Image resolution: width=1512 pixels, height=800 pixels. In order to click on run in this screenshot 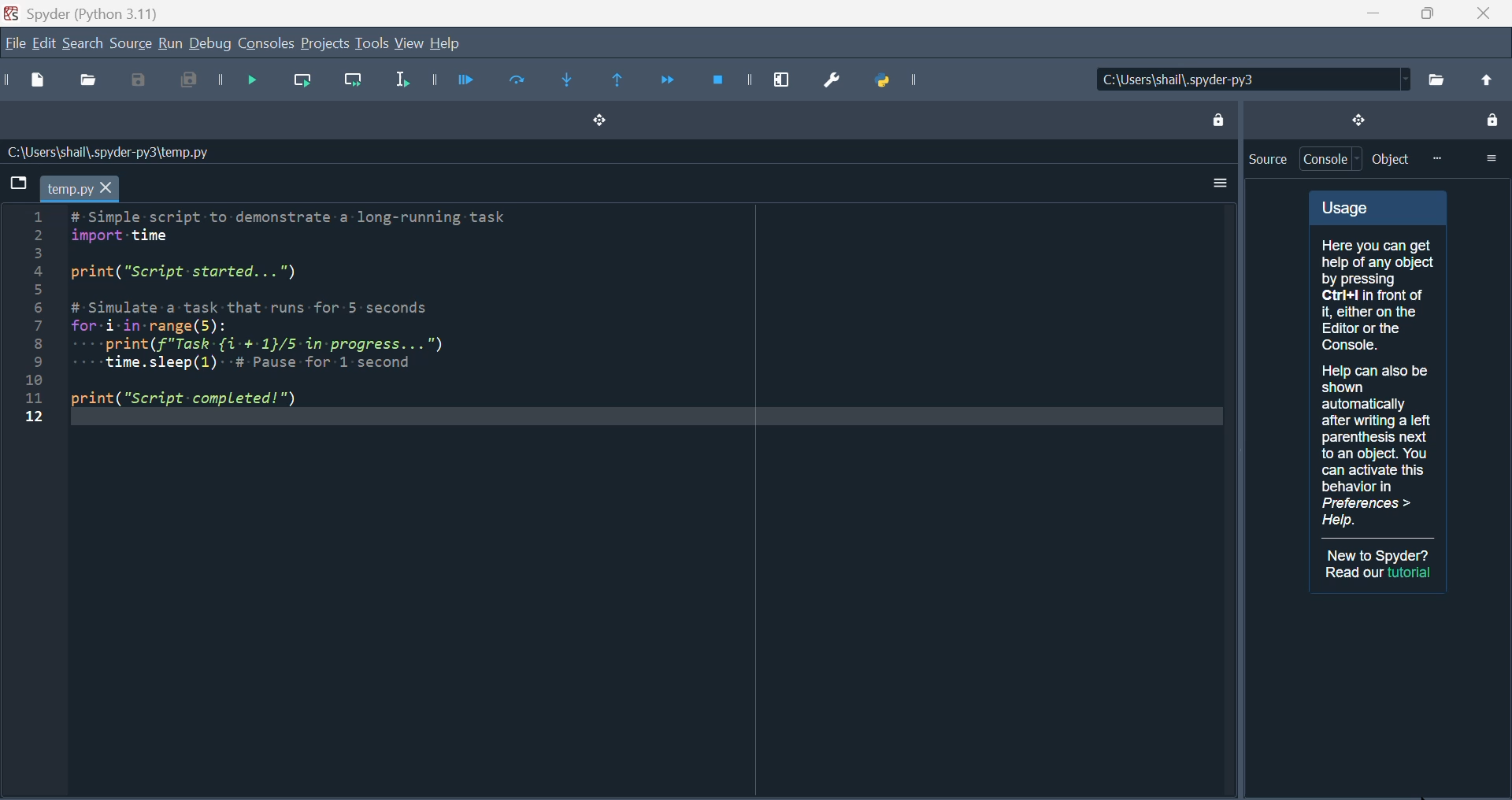, I will do `click(169, 44)`.